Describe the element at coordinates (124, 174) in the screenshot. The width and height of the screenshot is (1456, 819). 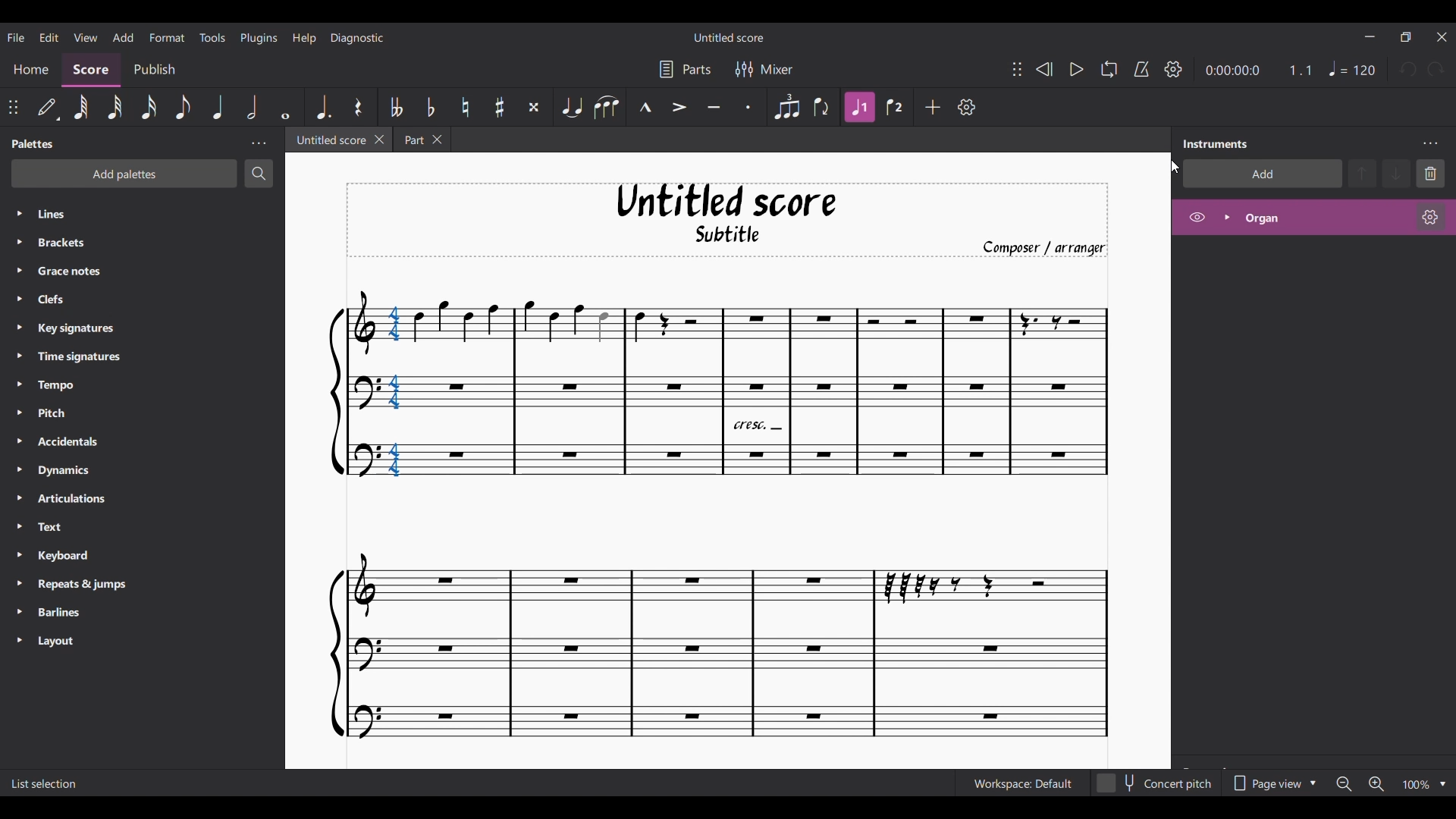
I see `Add palette` at that location.